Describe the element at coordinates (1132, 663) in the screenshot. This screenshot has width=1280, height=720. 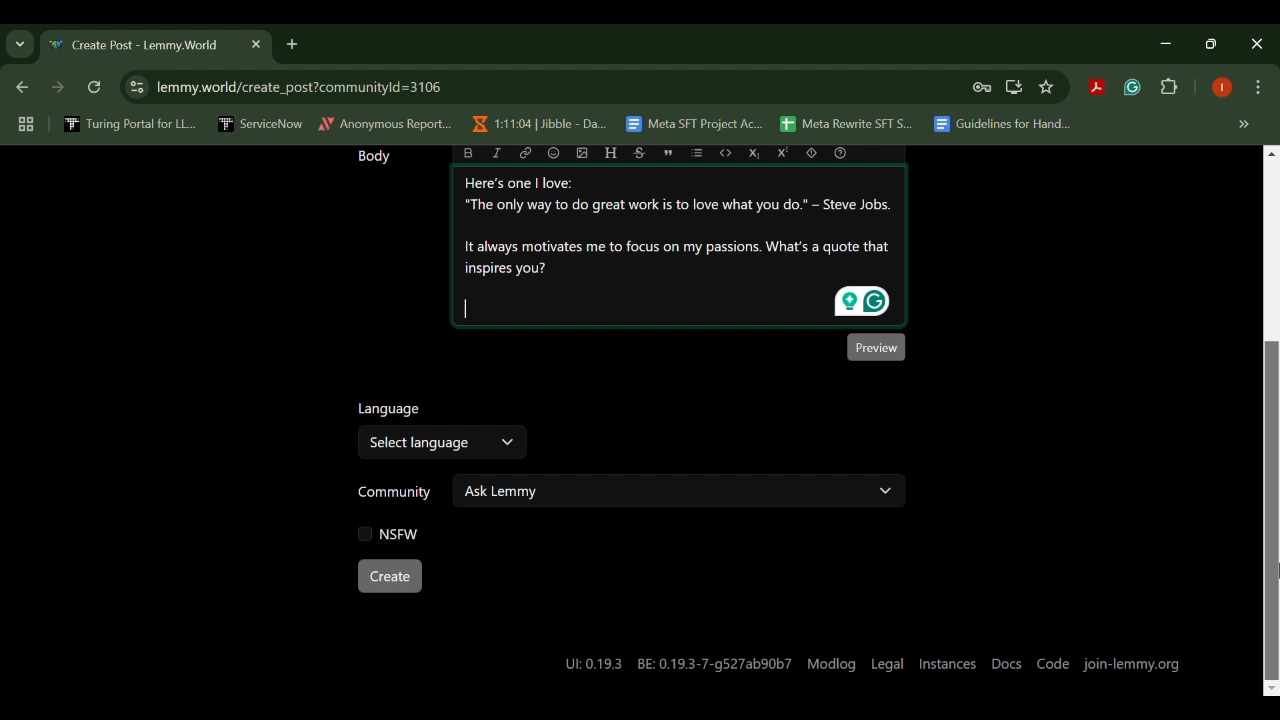
I see `join-lemmy.org` at that location.